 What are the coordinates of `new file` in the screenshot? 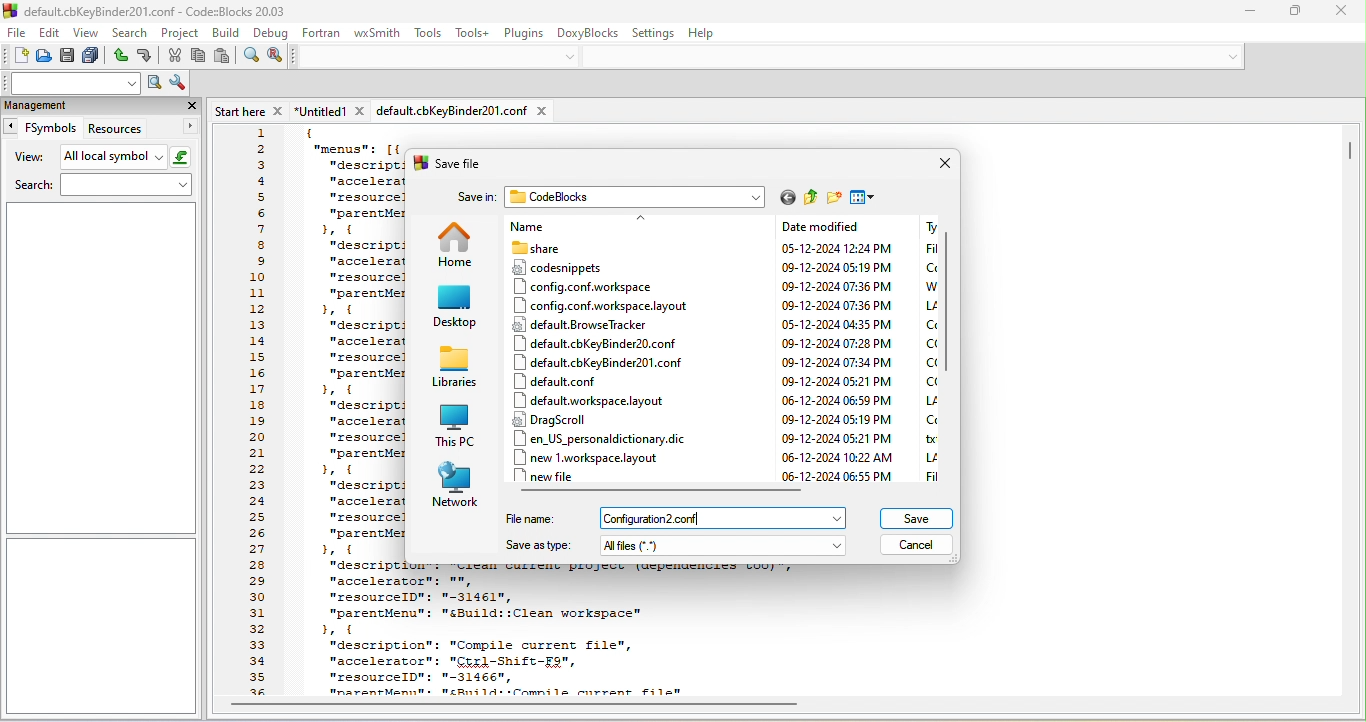 It's located at (553, 476).